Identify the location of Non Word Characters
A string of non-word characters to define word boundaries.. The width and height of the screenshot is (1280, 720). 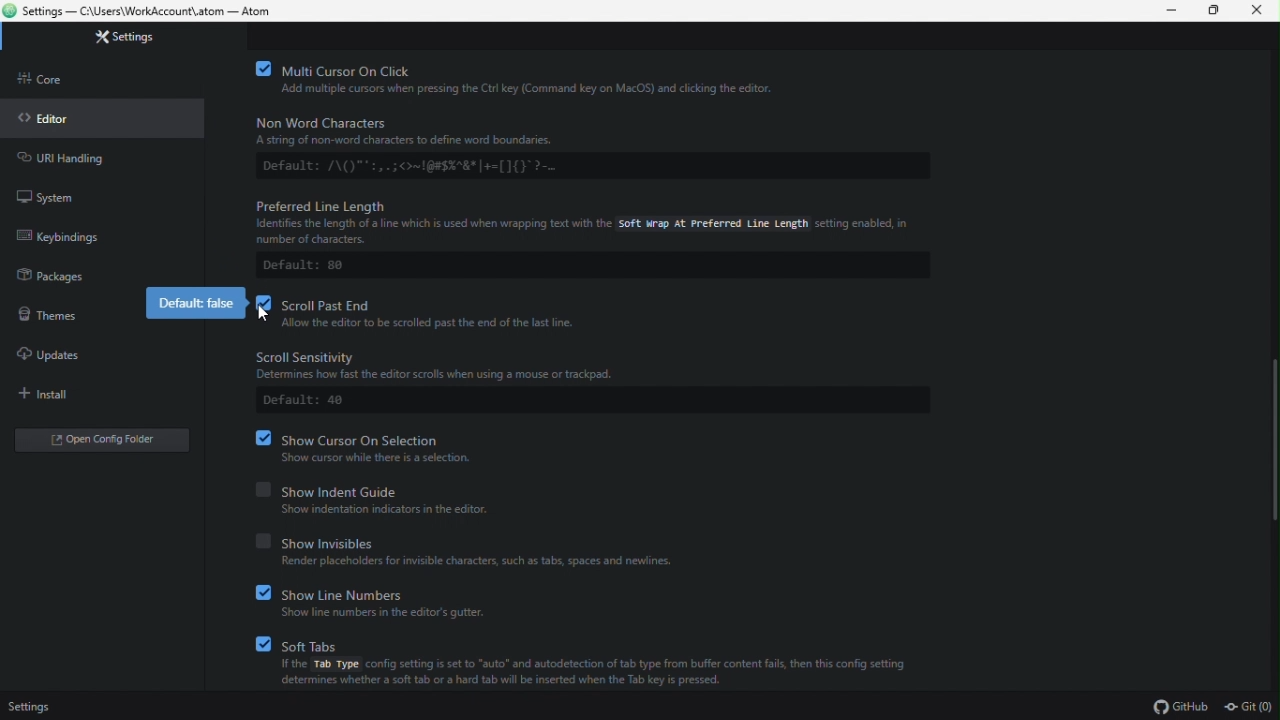
(448, 131).